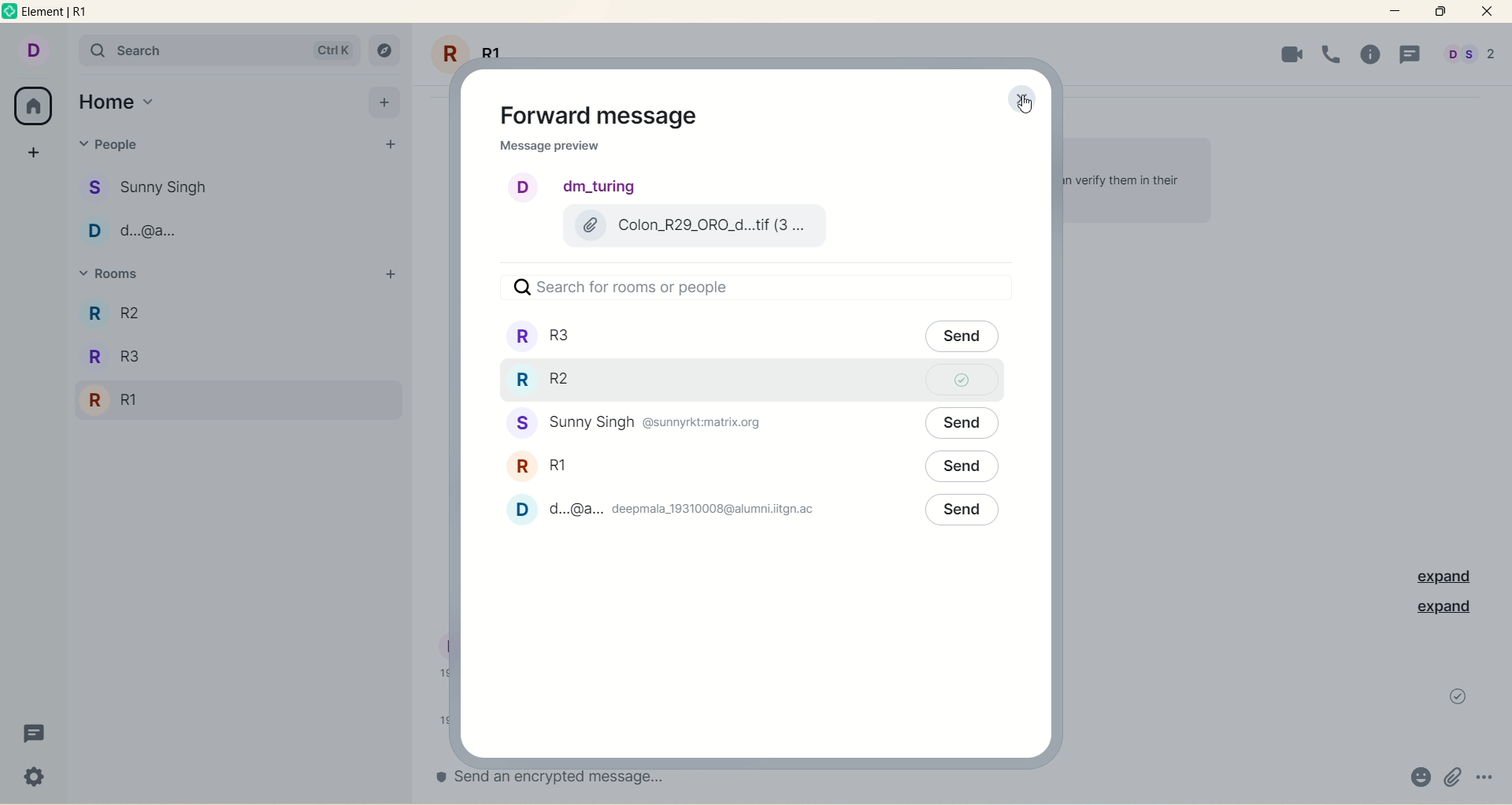 The image size is (1512, 805). Describe the element at coordinates (1503, 421) in the screenshot. I see `vertical scroll bar` at that location.